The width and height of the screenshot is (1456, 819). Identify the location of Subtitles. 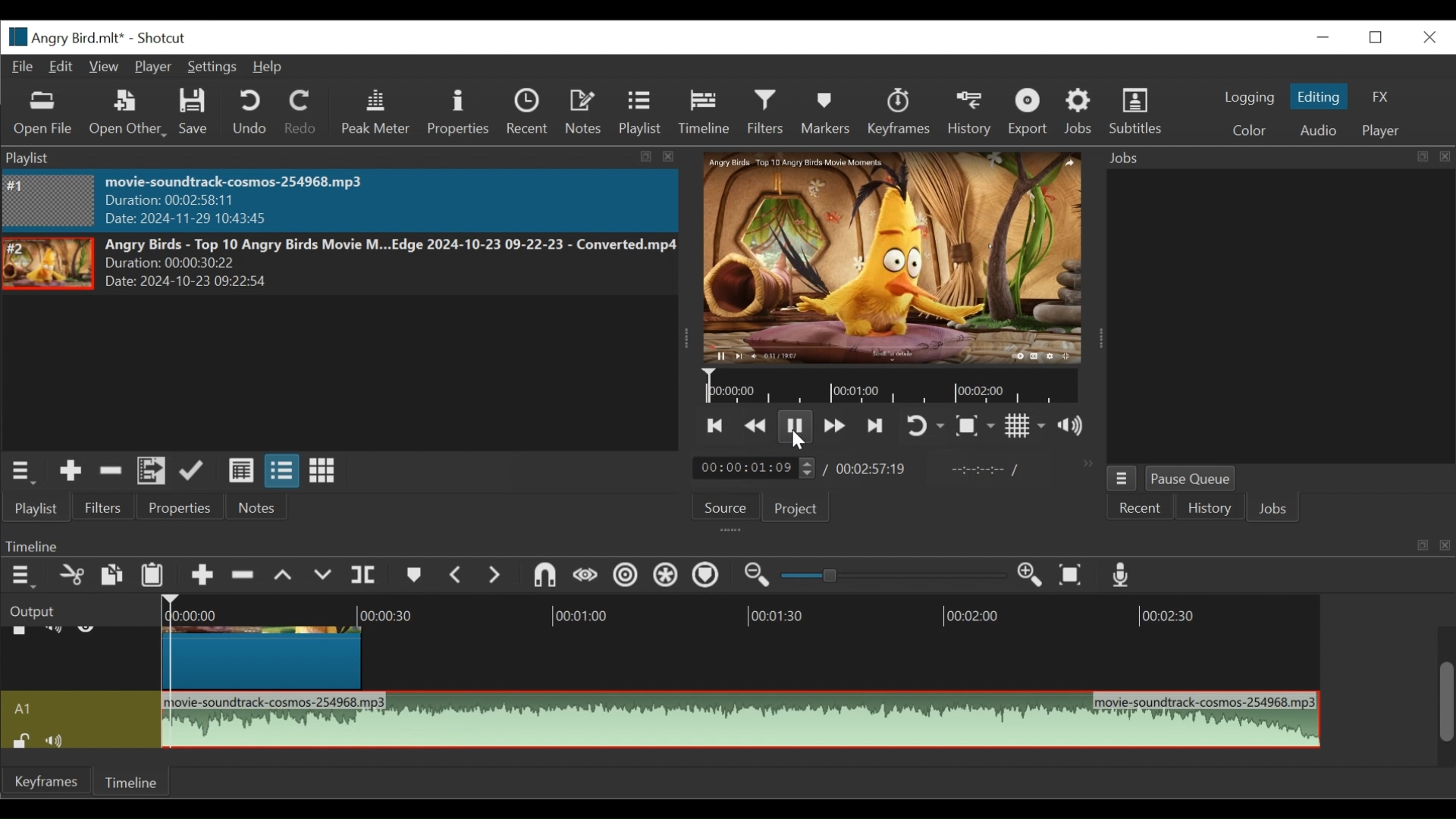
(1141, 113).